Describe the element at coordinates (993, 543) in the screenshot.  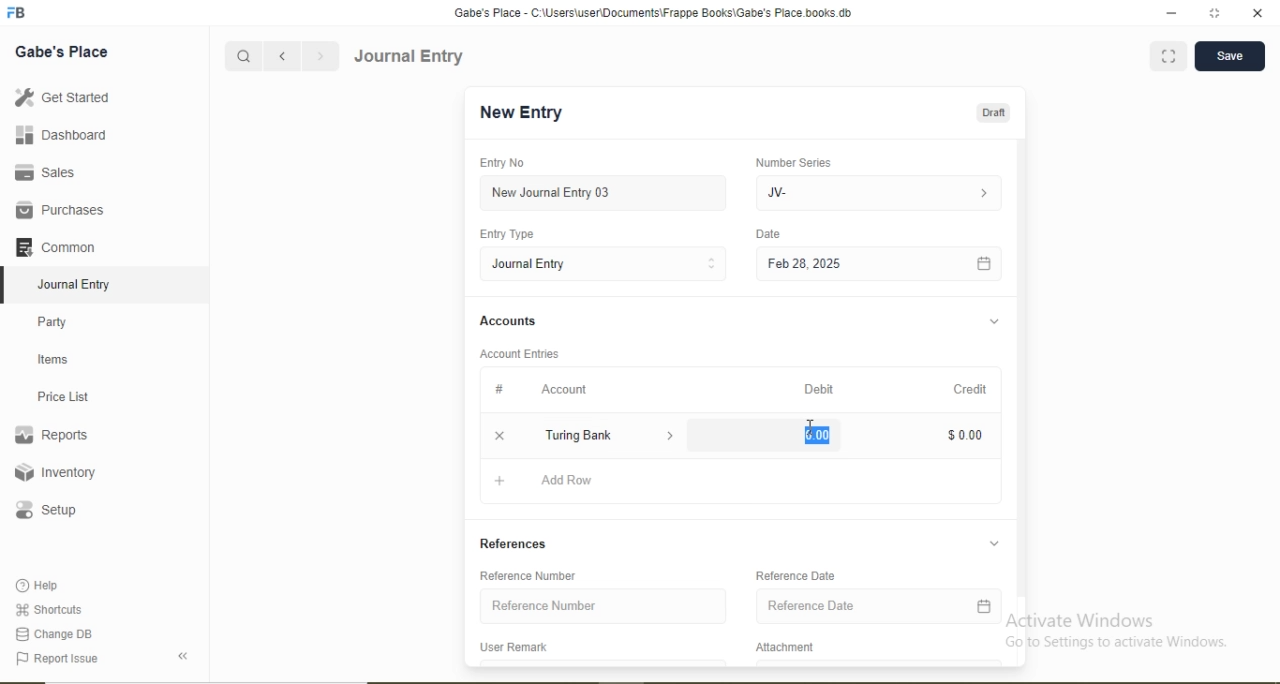
I see `Dropdown` at that location.